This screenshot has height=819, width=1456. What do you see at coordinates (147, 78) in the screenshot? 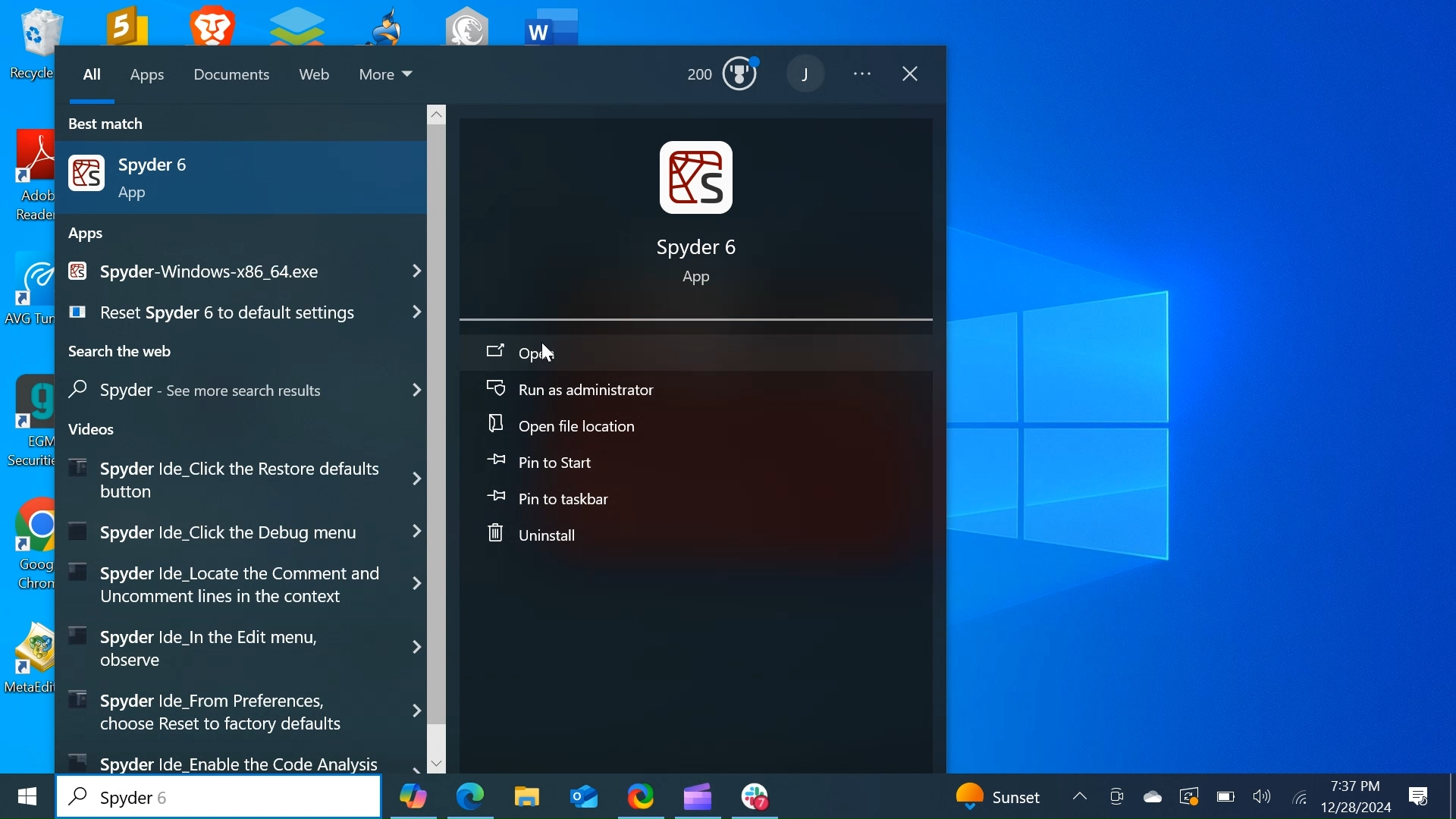
I see `Apps` at bounding box center [147, 78].